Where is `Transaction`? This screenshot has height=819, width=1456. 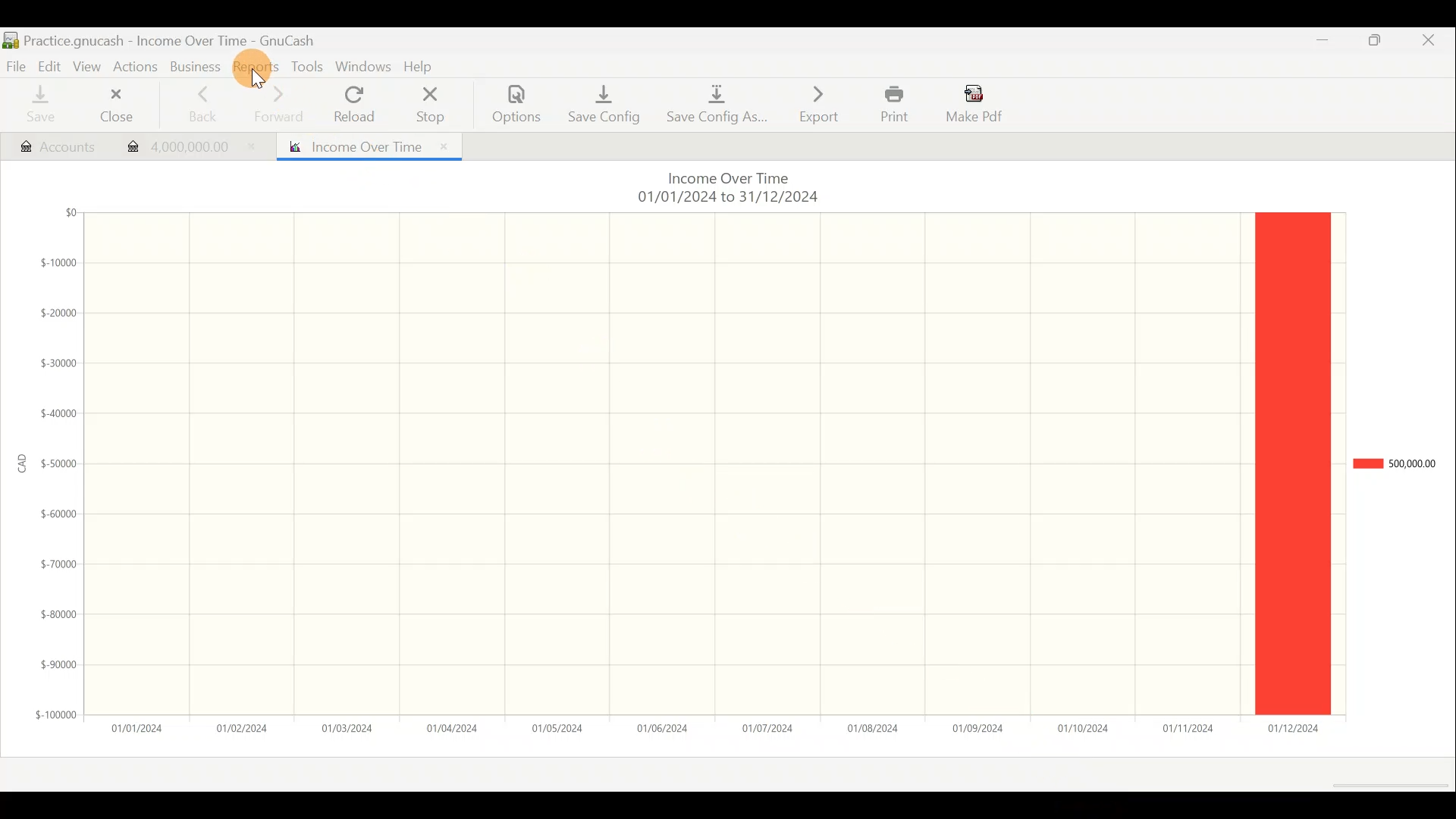 Transaction is located at coordinates (184, 145).